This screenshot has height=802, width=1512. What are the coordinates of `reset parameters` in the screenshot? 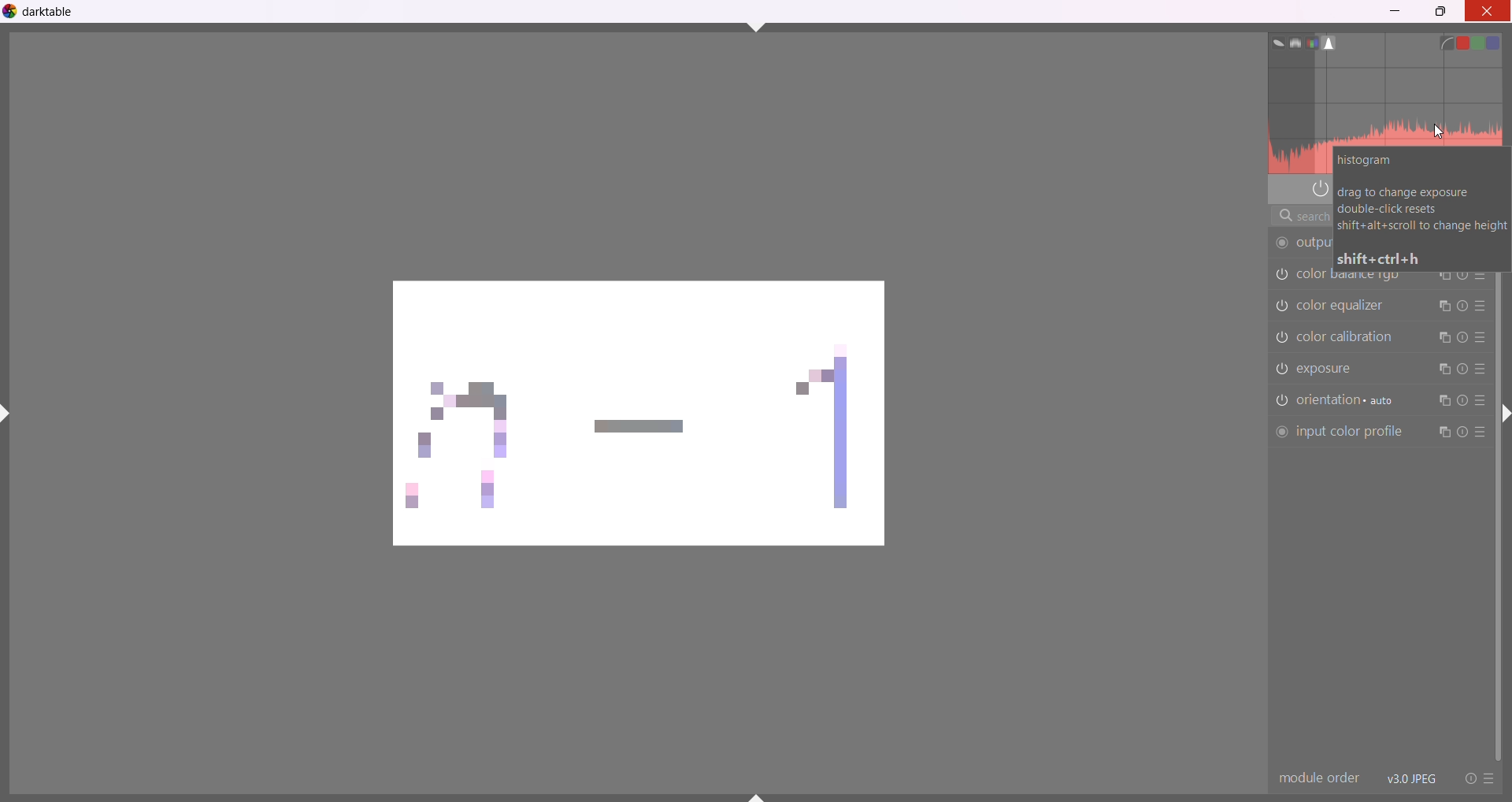 It's located at (1462, 402).